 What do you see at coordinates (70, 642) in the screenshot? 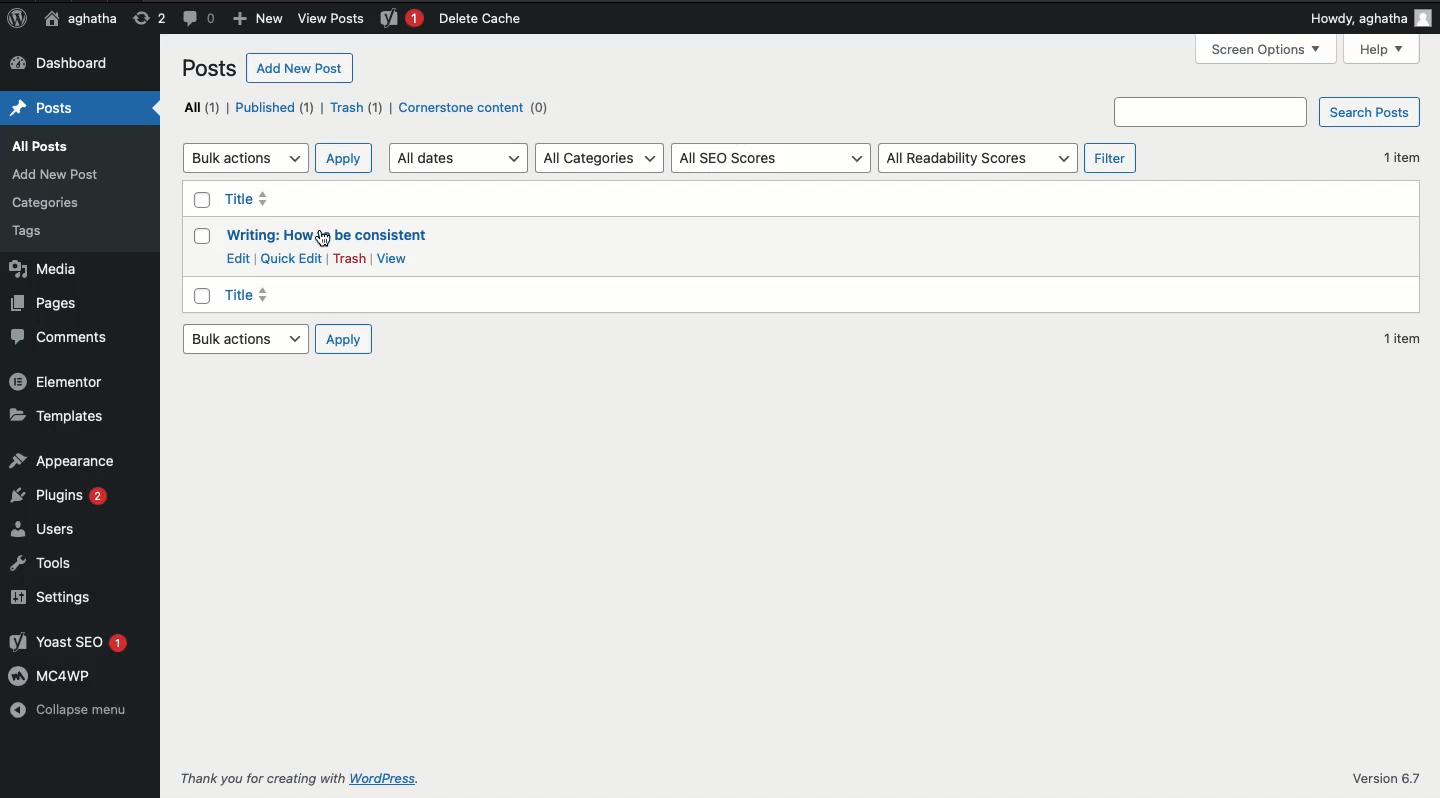
I see `Yoast SEO` at bounding box center [70, 642].